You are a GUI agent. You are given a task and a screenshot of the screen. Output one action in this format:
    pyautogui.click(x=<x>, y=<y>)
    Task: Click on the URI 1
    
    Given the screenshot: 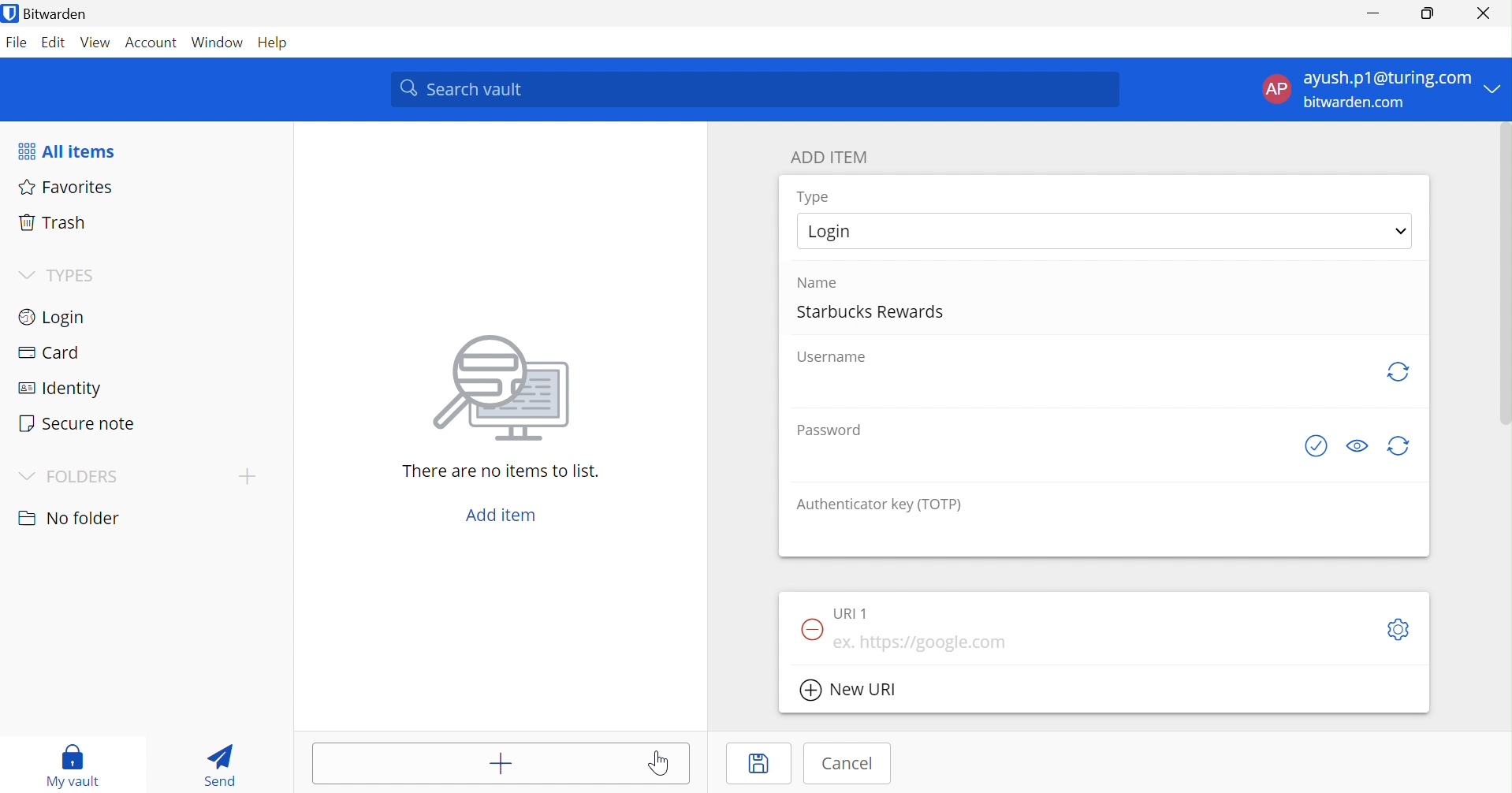 What is the action you would take?
    pyautogui.click(x=855, y=613)
    